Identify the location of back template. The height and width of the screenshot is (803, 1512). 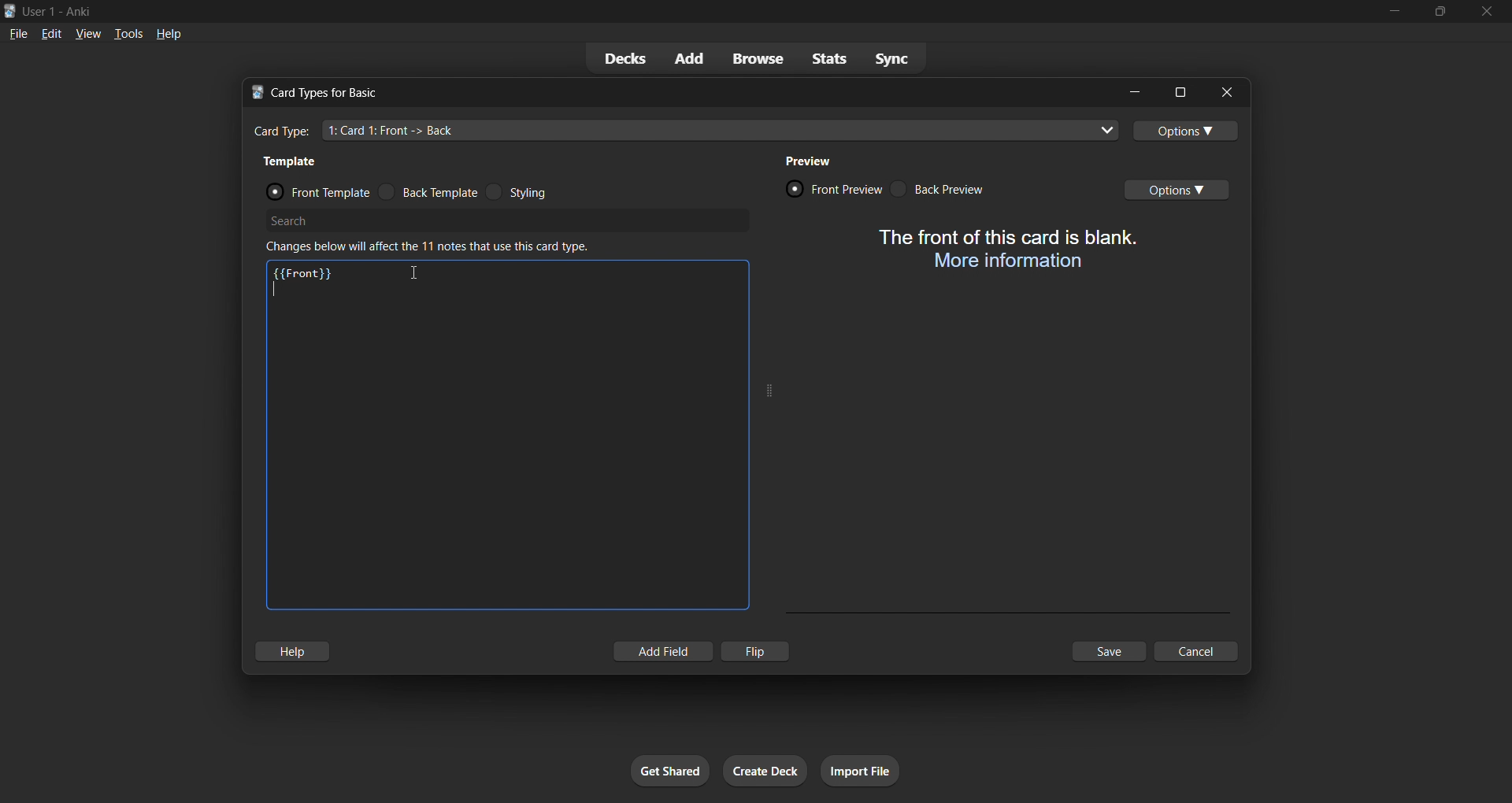
(431, 191).